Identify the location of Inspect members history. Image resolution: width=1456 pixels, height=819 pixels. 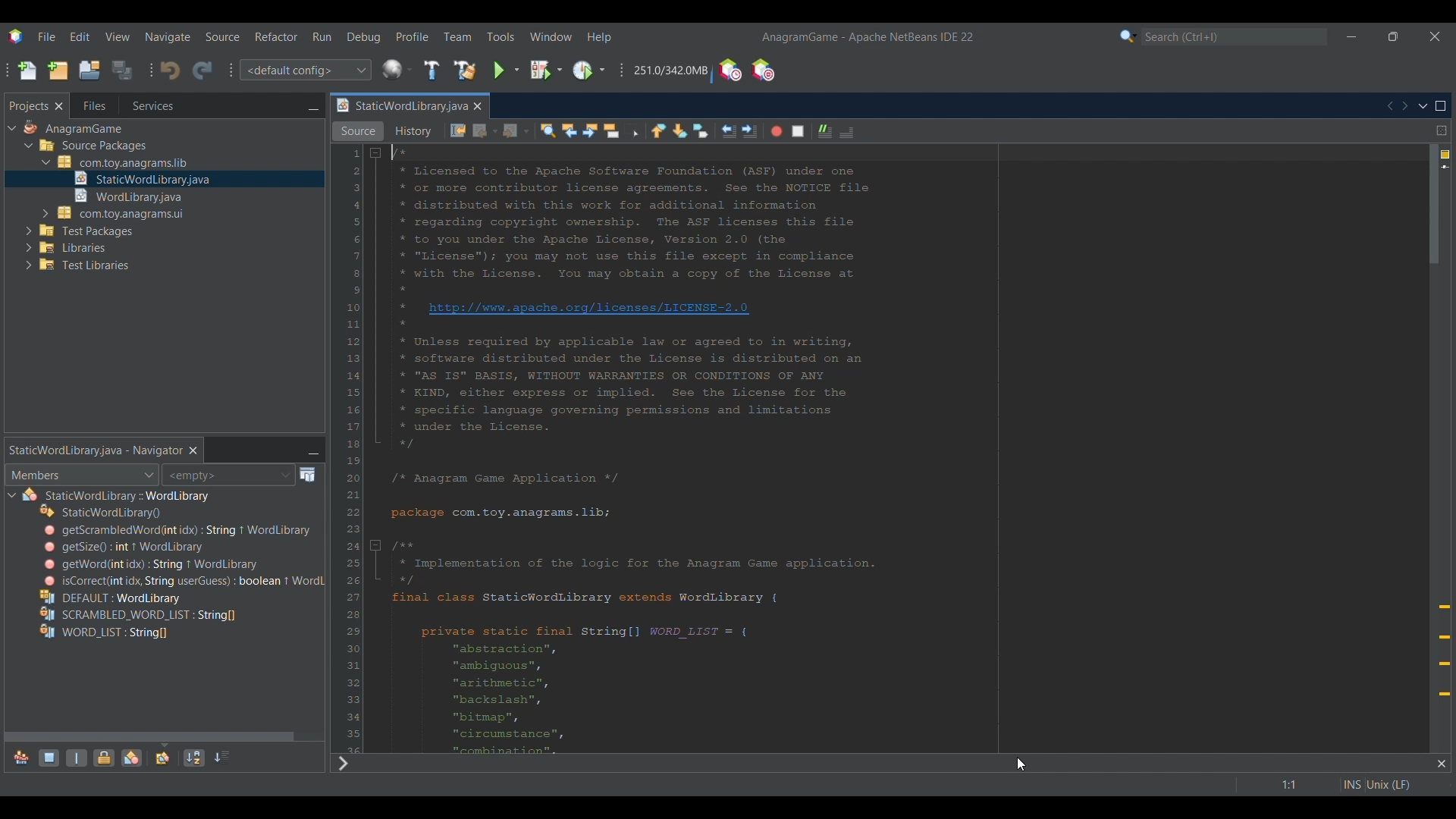
(227, 475).